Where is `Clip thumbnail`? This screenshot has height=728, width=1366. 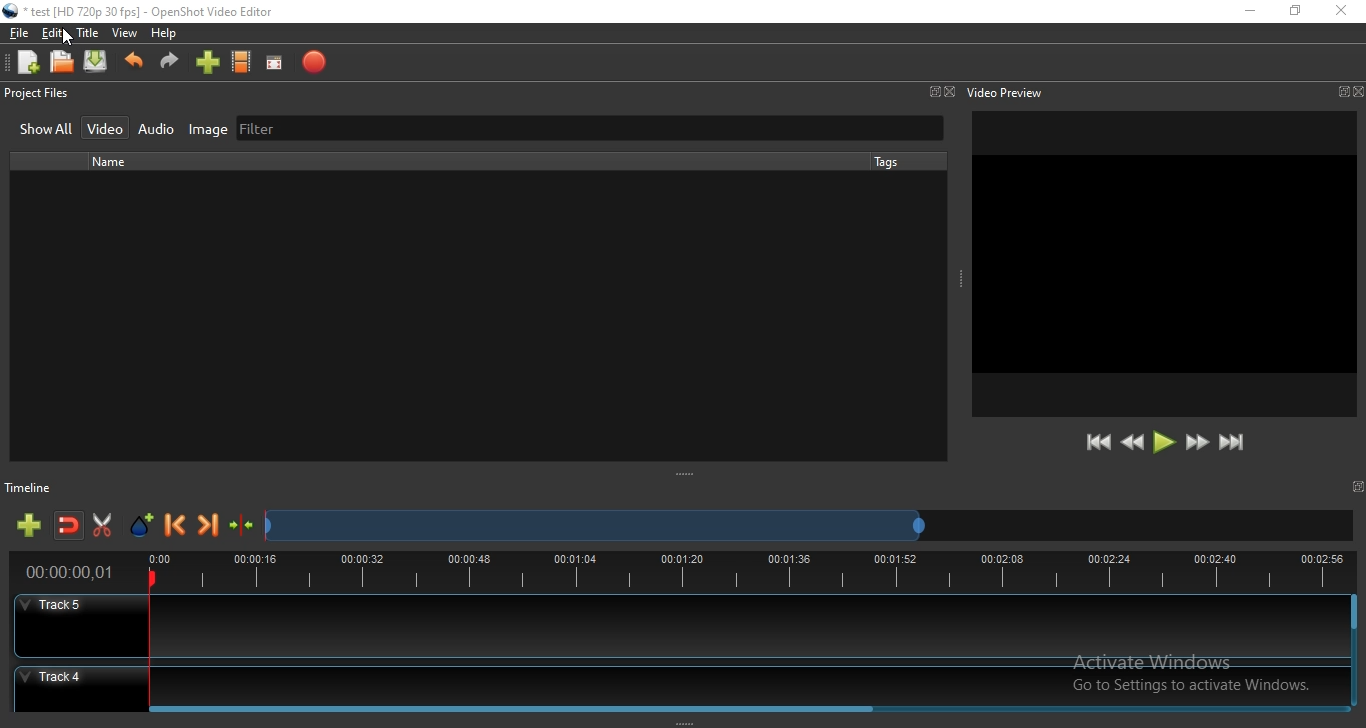 Clip thumbnail is located at coordinates (464, 316).